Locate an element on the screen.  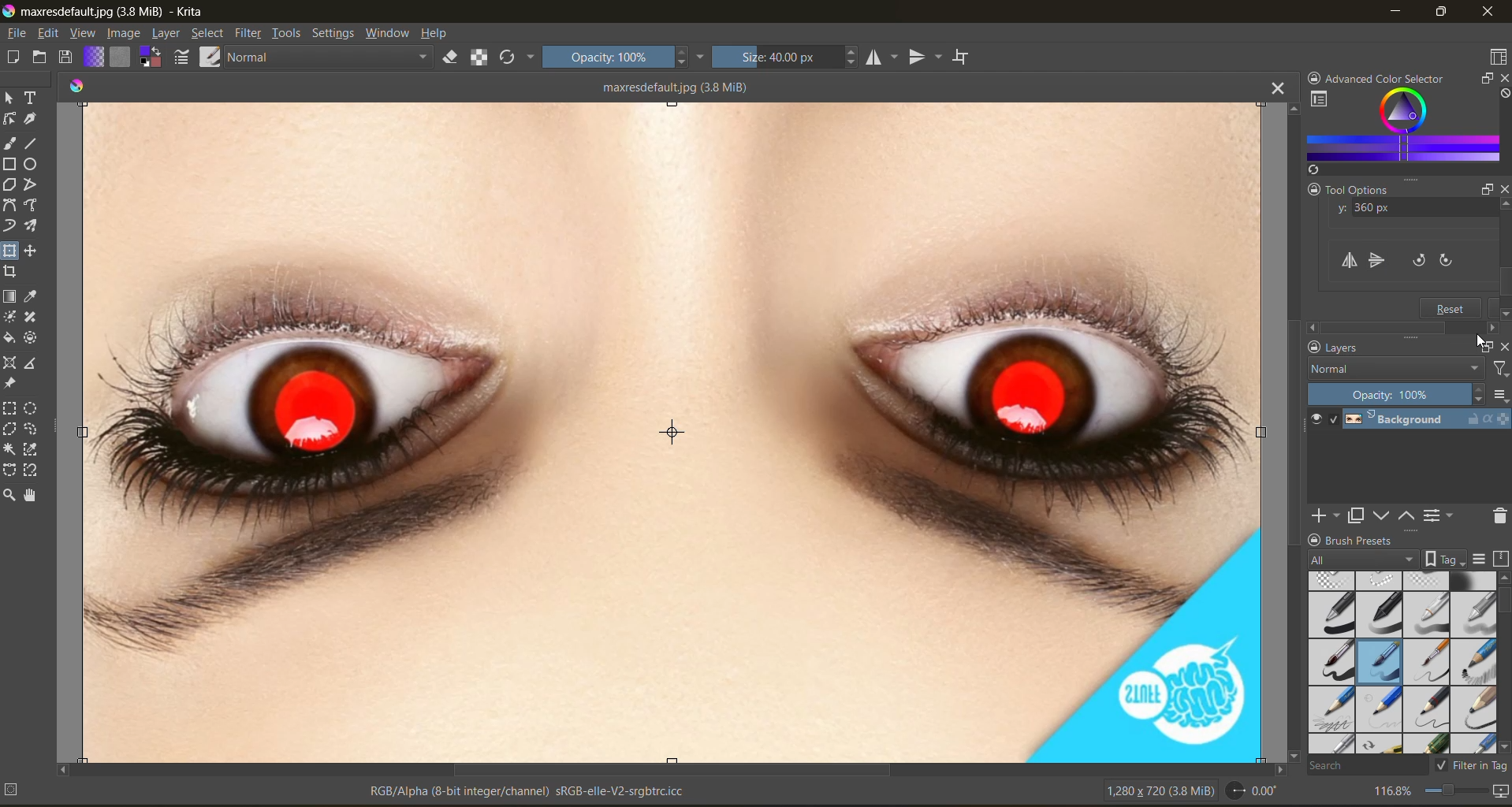
vertical scroll bar is located at coordinates (1291, 431).